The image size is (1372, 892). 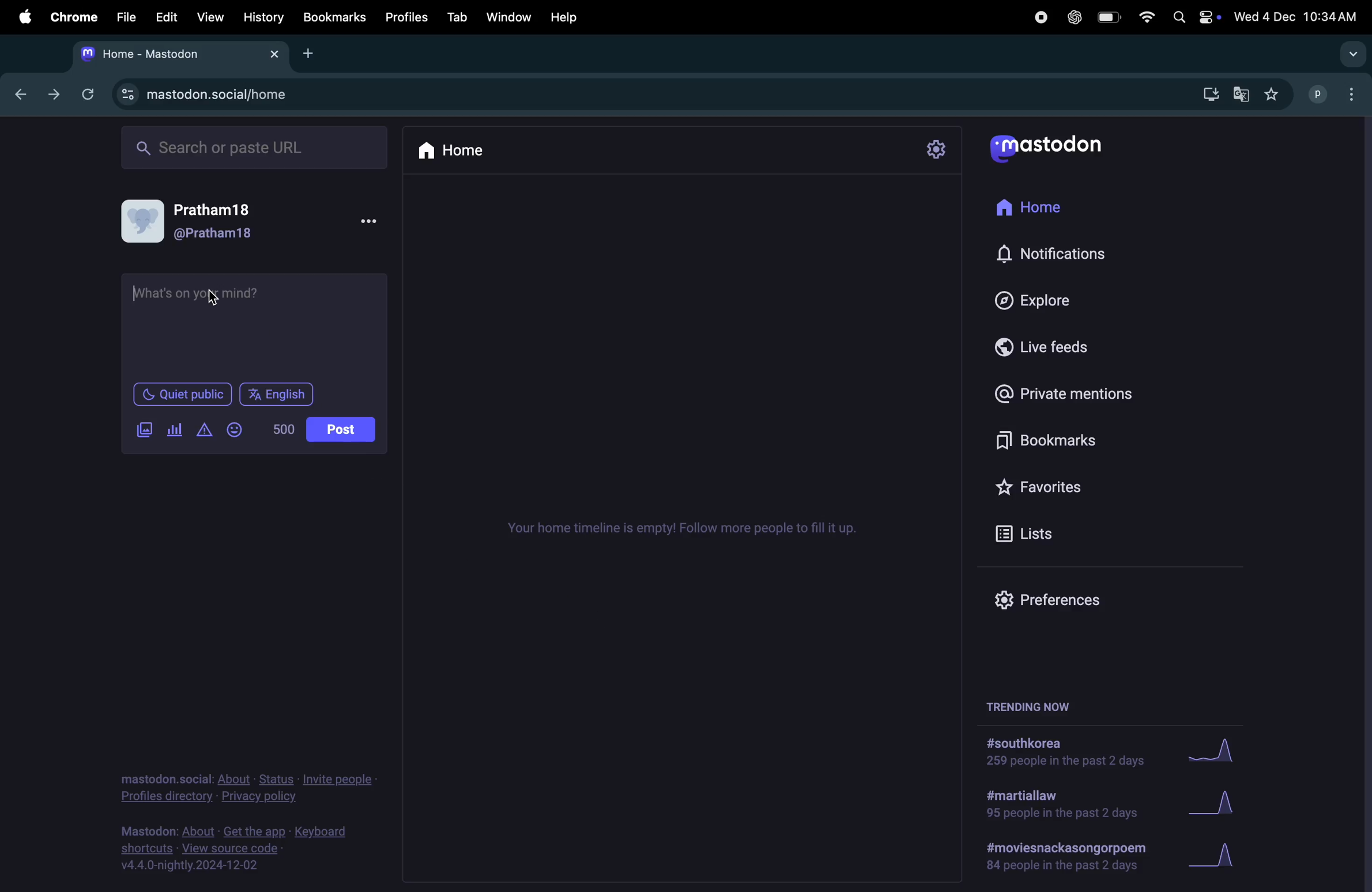 I want to click on apple menu, so click(x=19, y=17).